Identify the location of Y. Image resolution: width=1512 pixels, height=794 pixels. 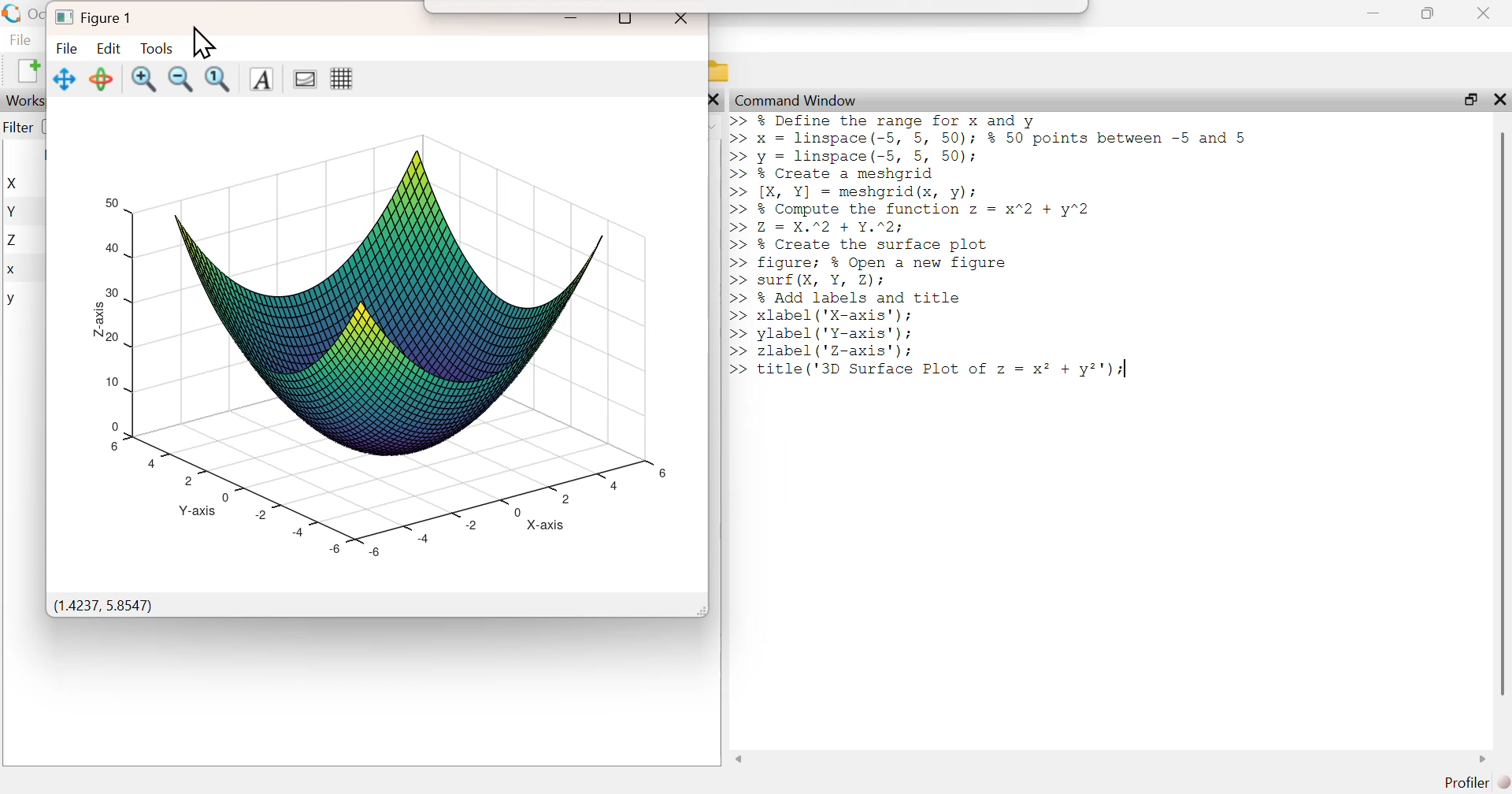
(13, 211).